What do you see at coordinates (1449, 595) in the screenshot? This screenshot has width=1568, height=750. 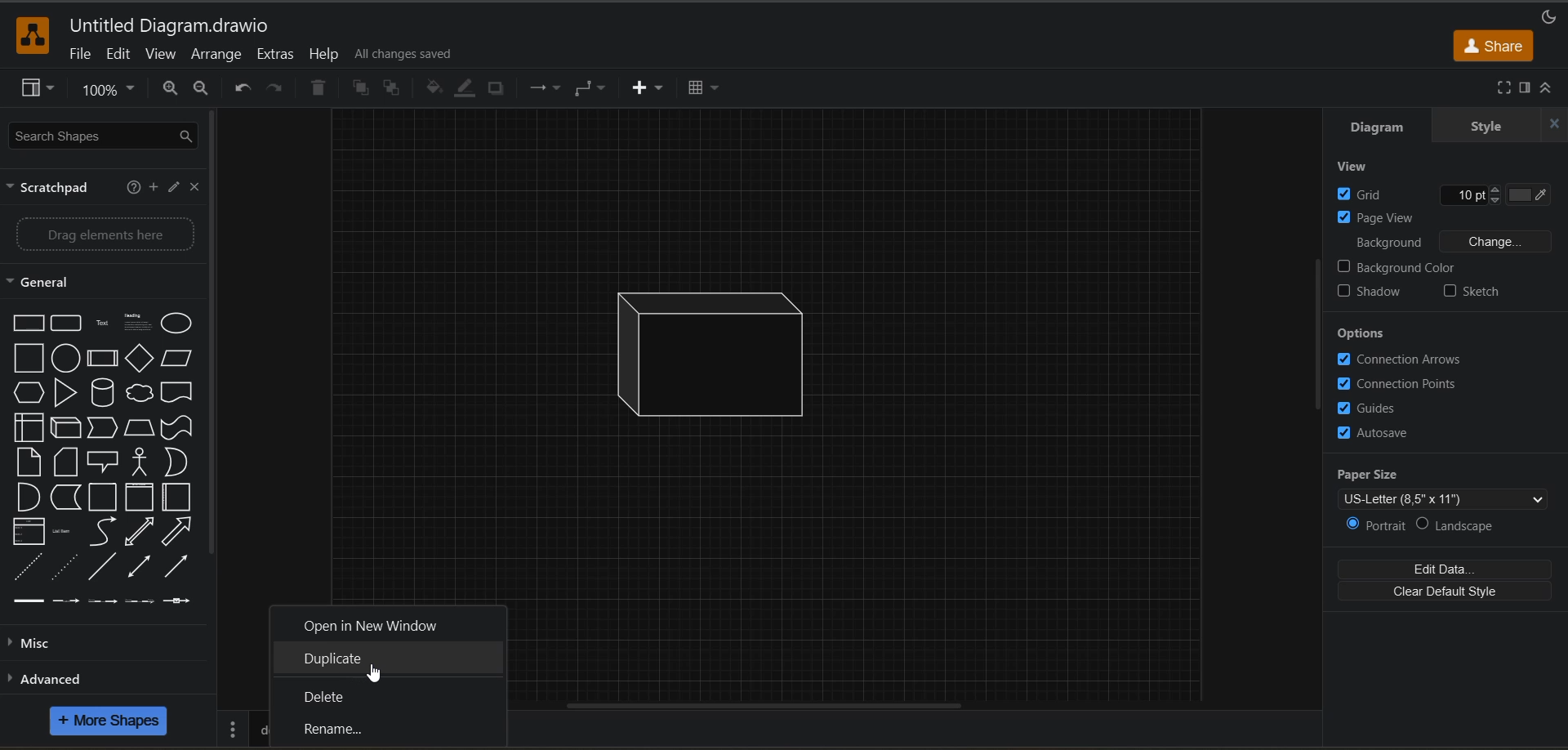 I see `clear default style` at bounding box center [1449, 595].